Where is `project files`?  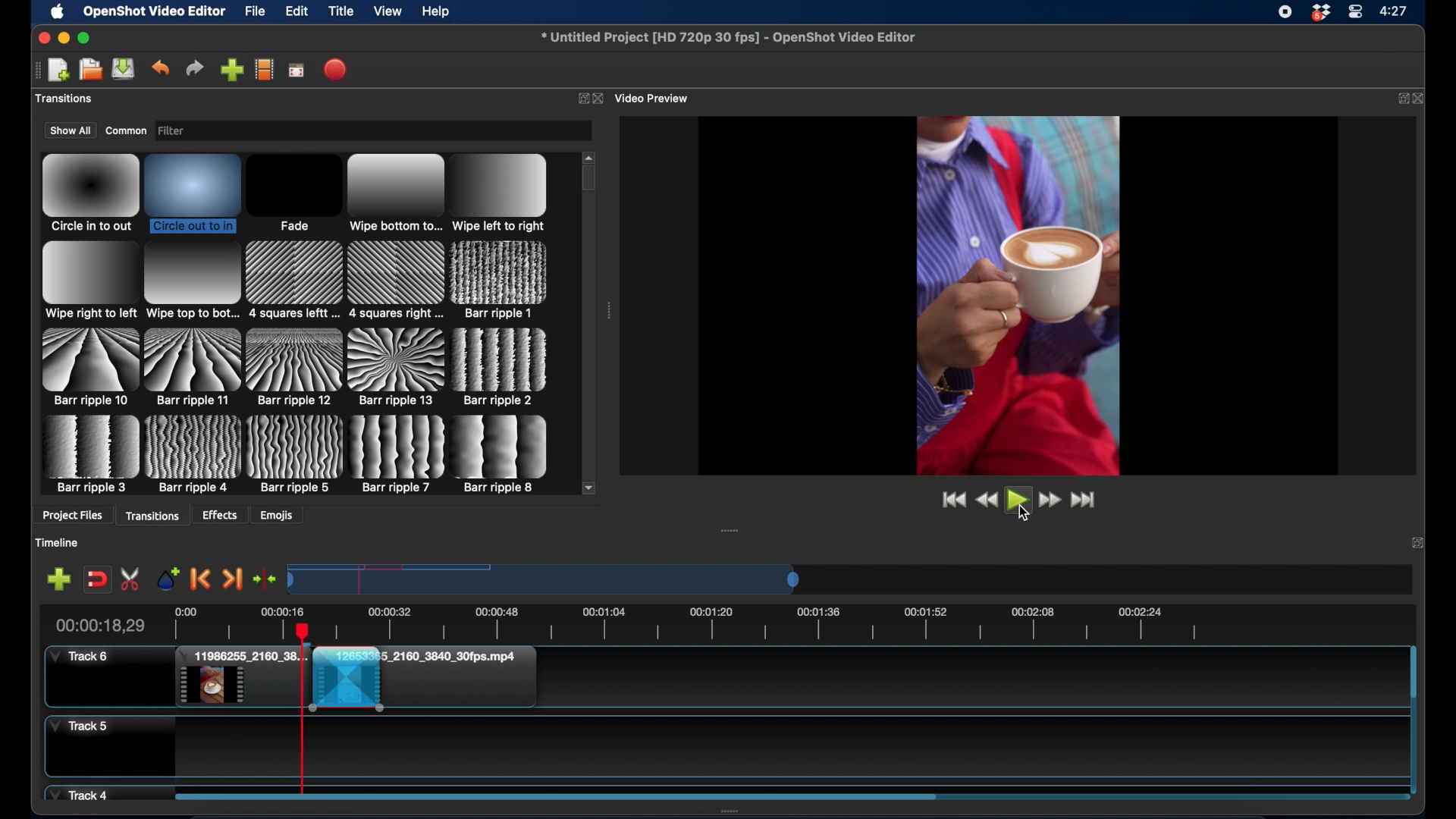 project files is located at coordinates (67, 99).